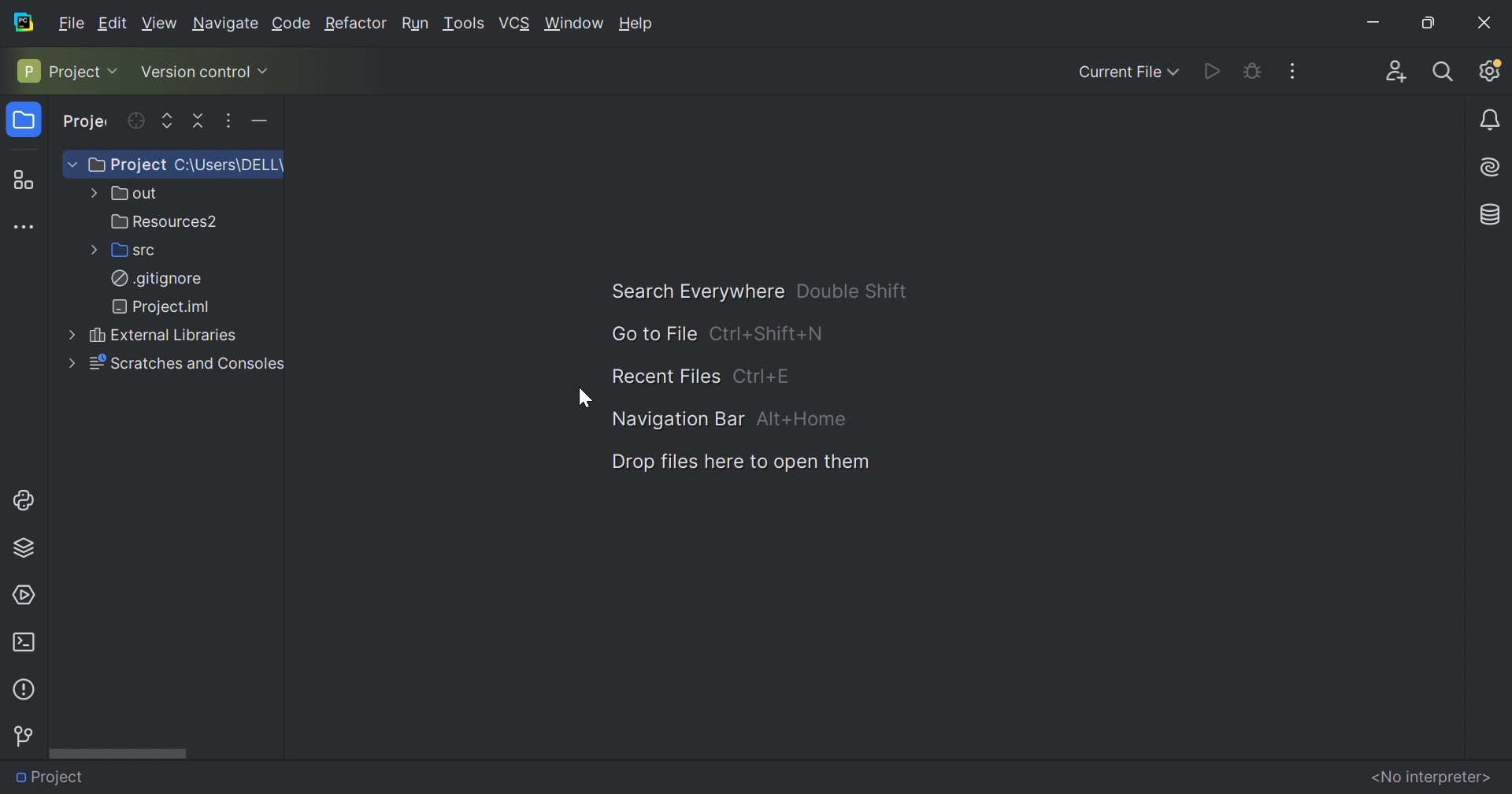 The image size is (1512, 794). What do you see at coordinates (24, 21) in the screenshot?
I see `PyCharm` at bounding box center [24, 21].